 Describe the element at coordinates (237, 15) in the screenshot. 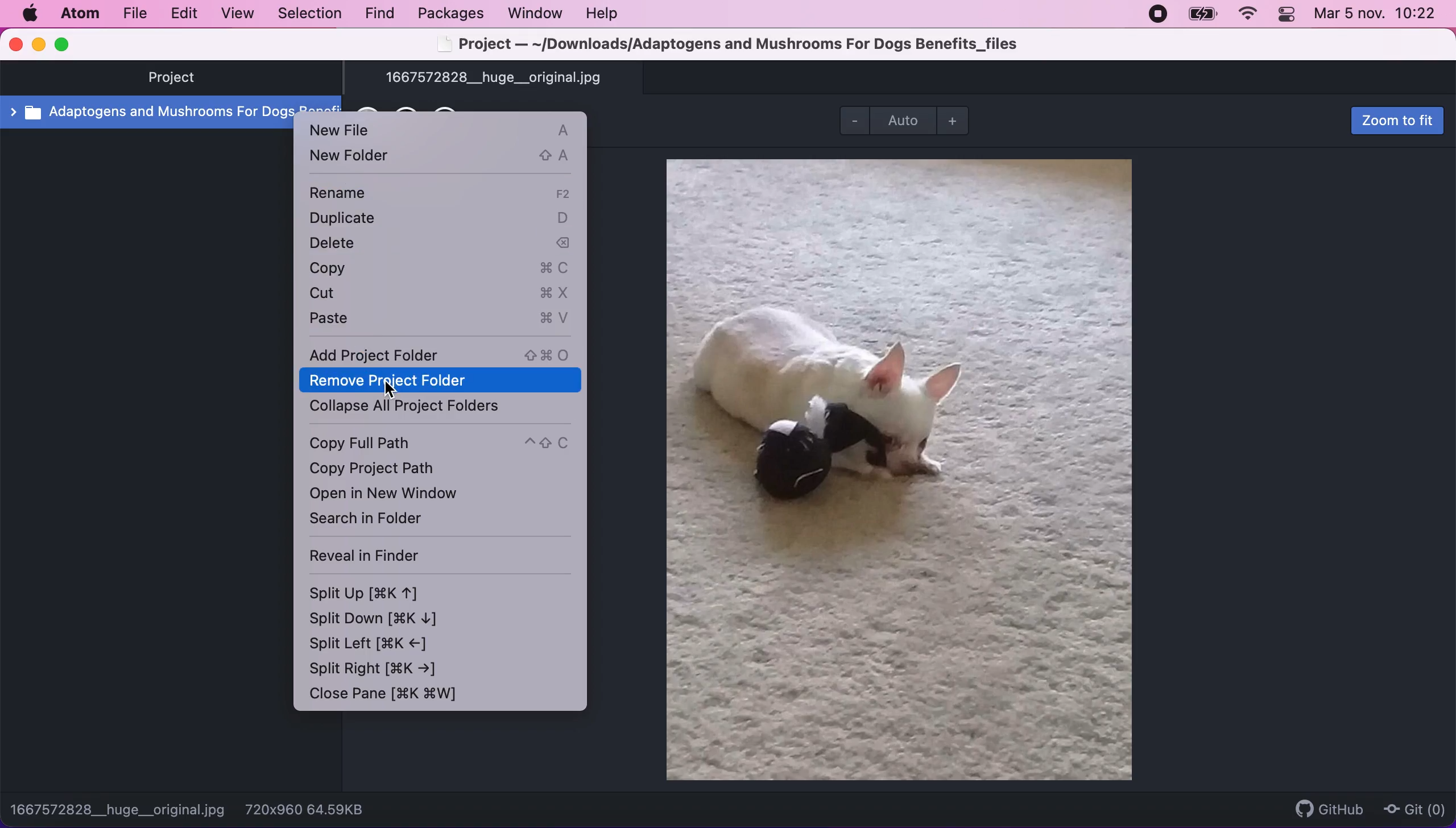

I see `view` at that location.